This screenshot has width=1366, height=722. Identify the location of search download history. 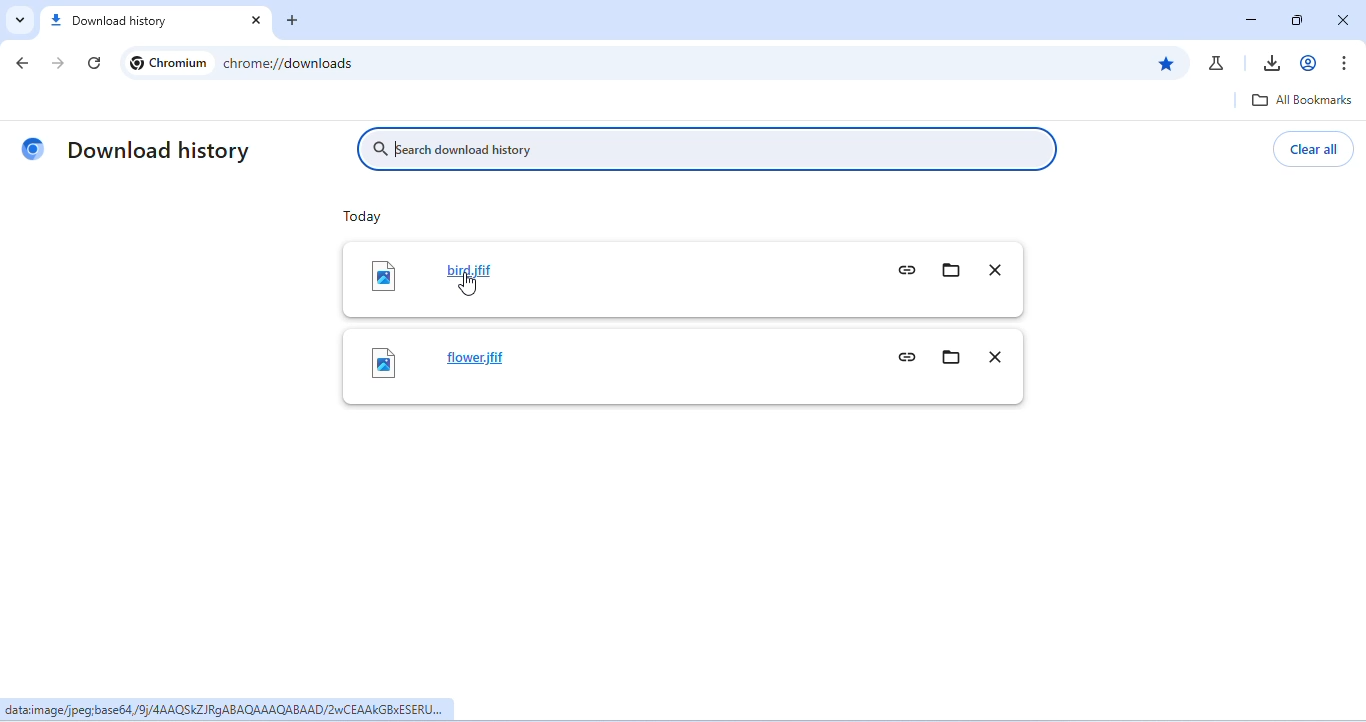
(705, 150).